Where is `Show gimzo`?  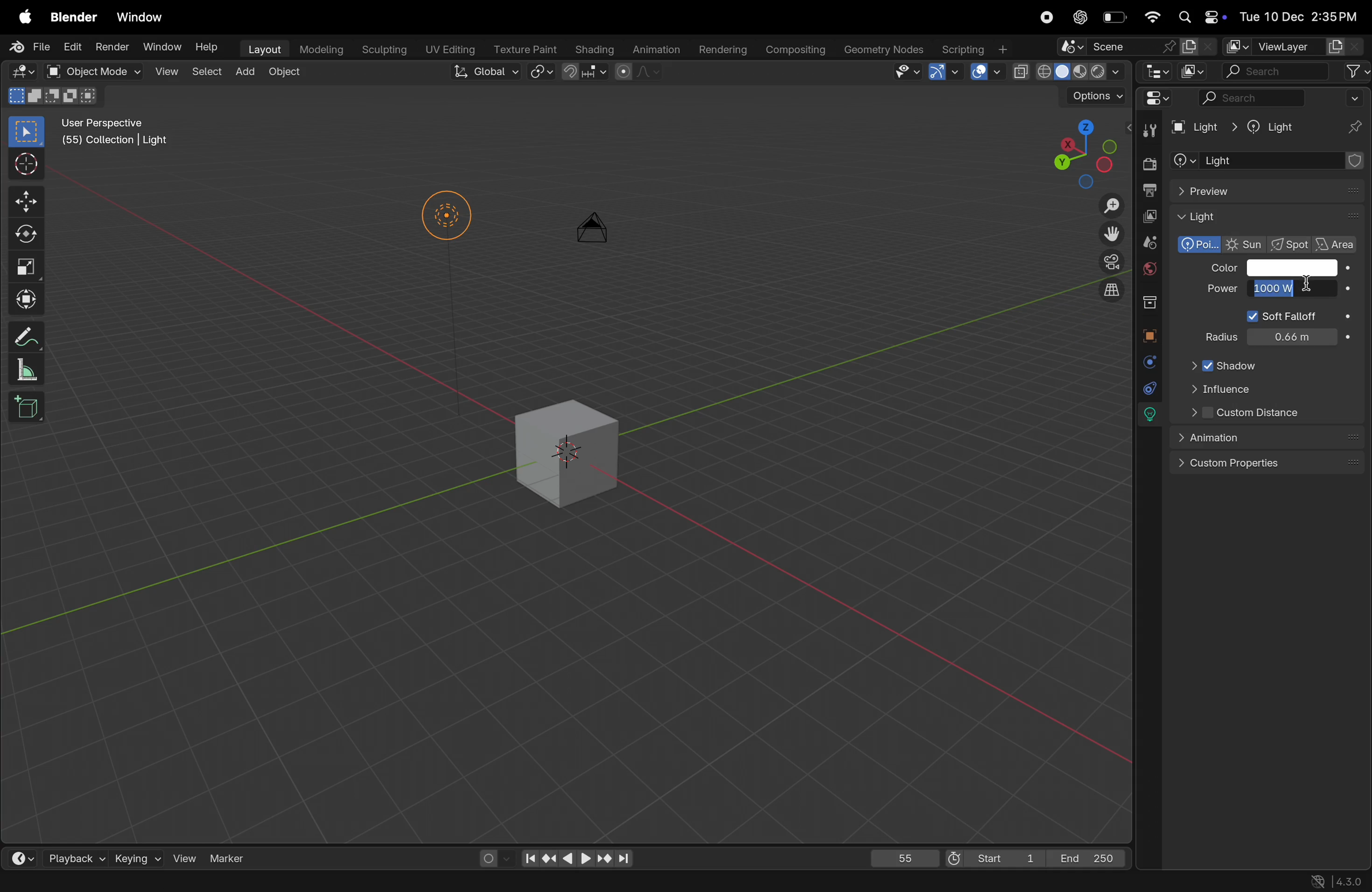
Show gimzo is located at coordinates (941, 71).